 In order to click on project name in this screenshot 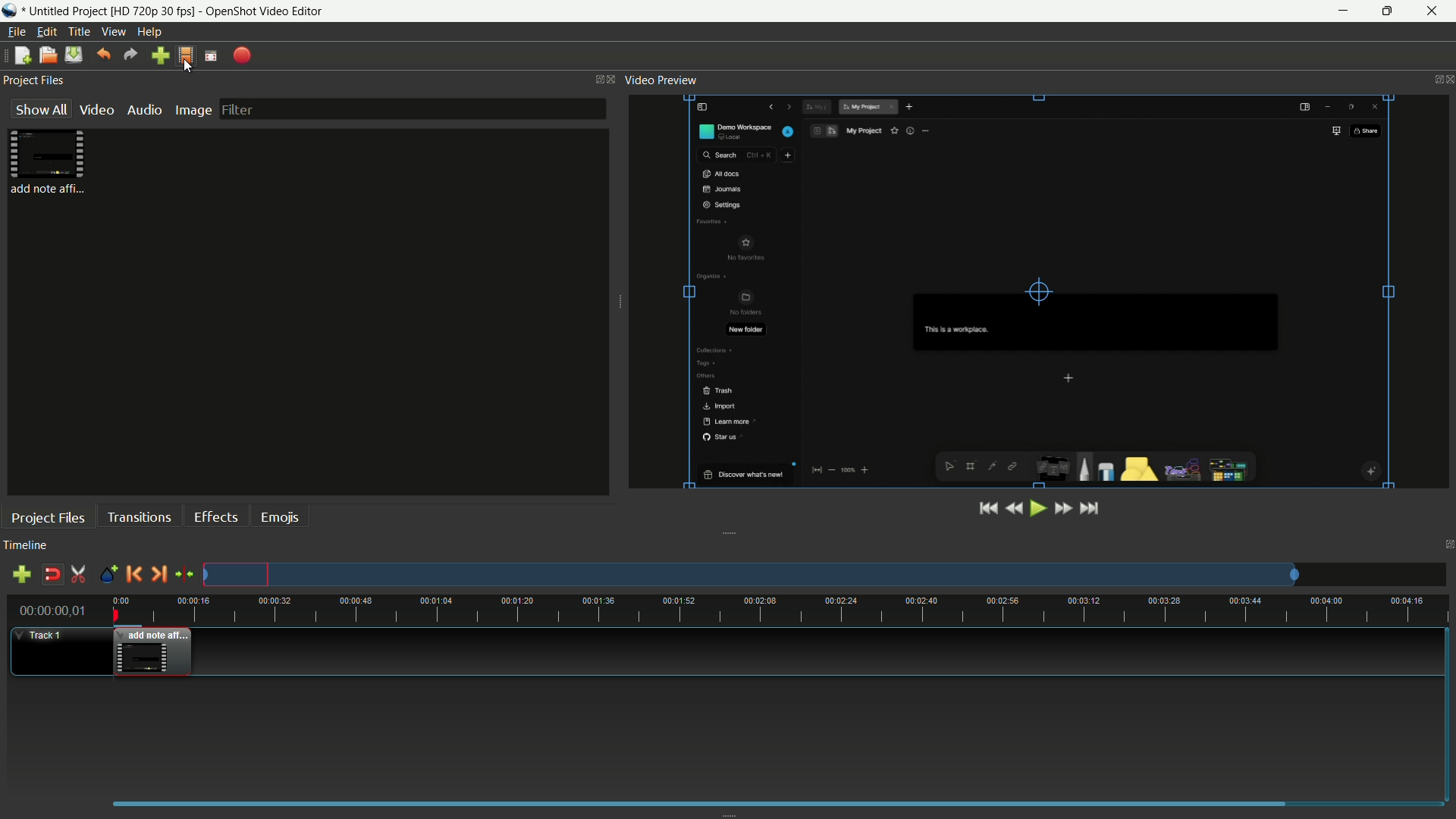, I will do `click(112, 12)`.